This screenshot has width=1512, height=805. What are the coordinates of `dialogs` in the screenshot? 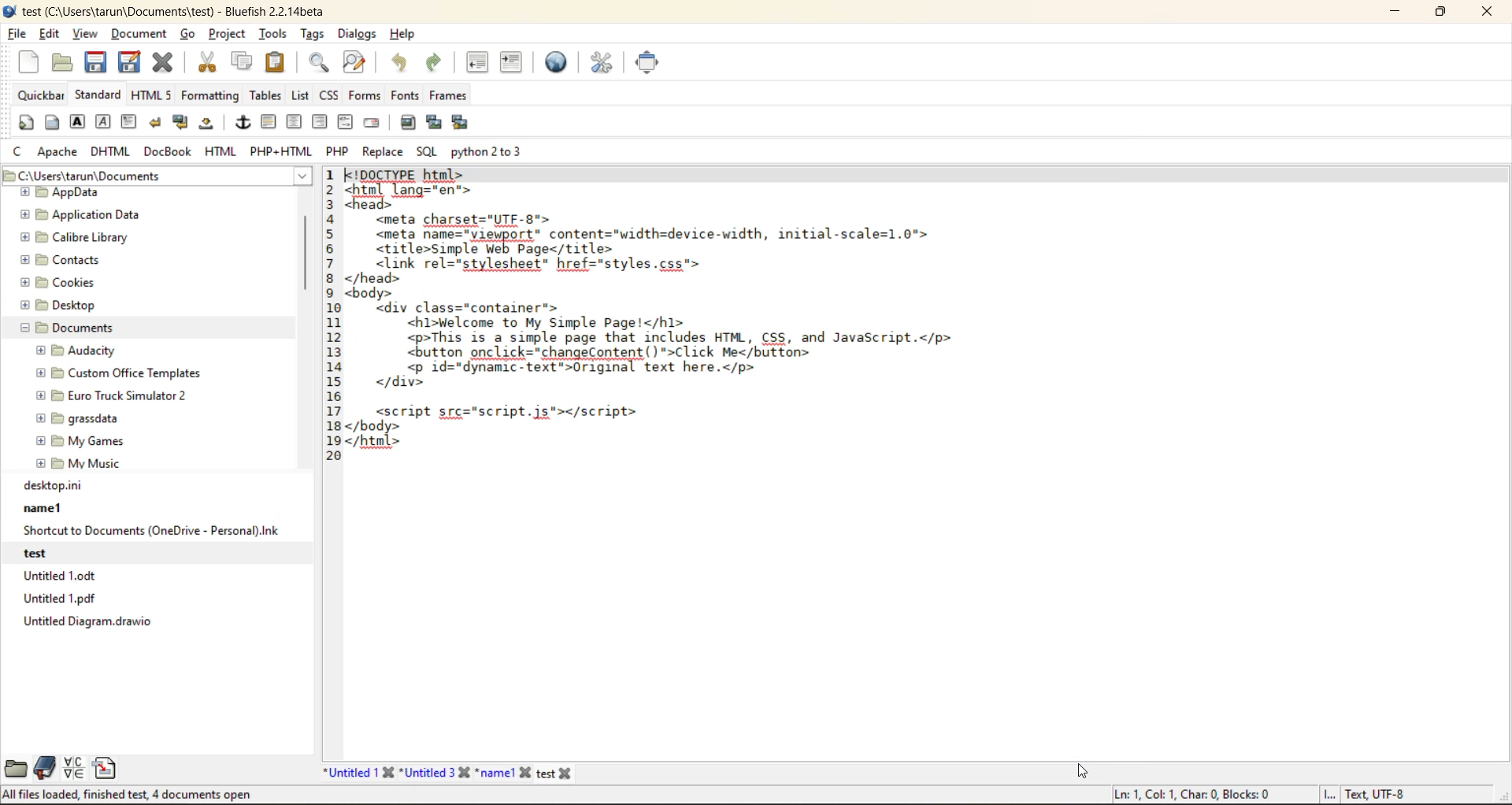 It's located at (354, 35).